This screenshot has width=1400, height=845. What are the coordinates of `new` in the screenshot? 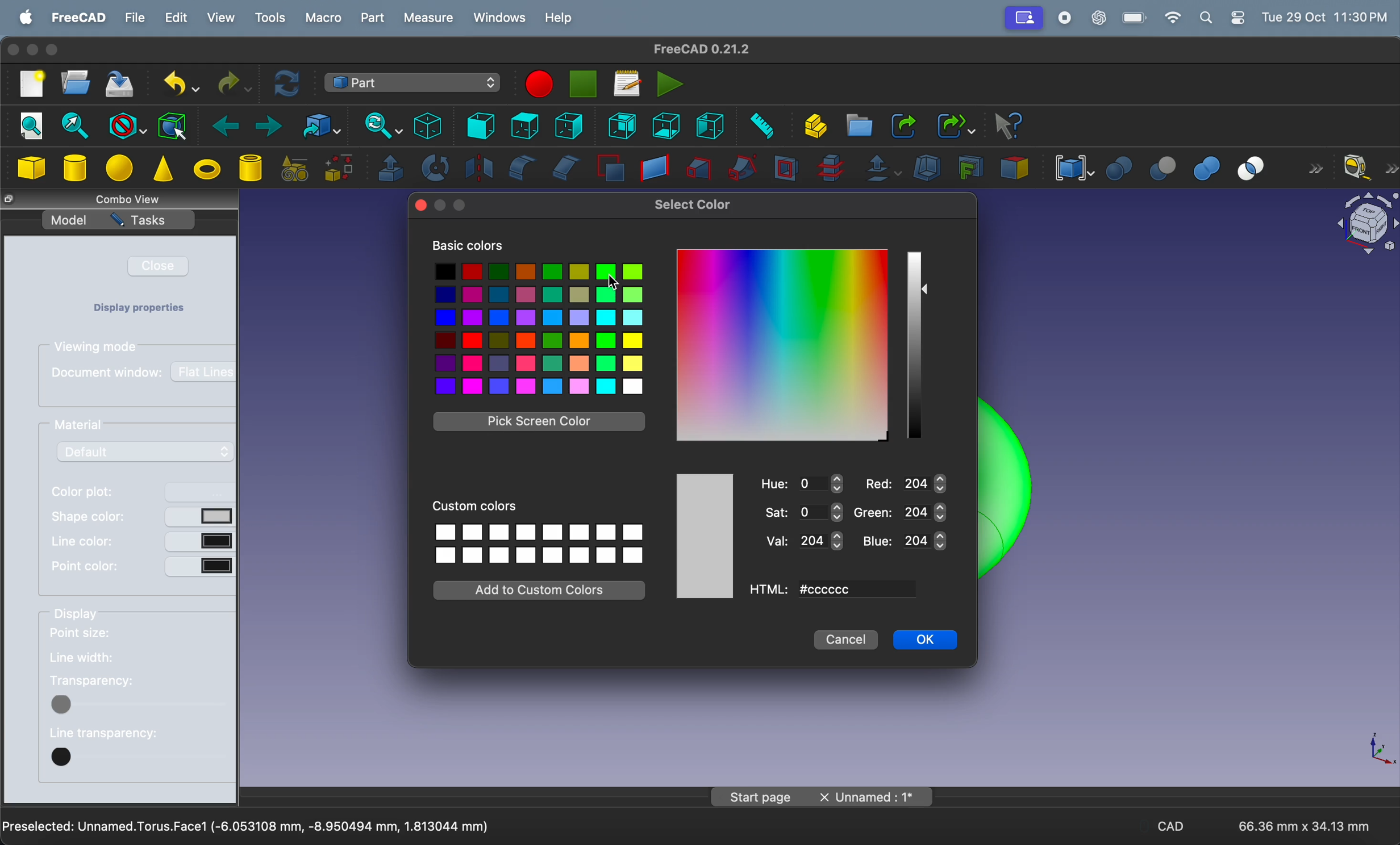 It's located at (28, 85).